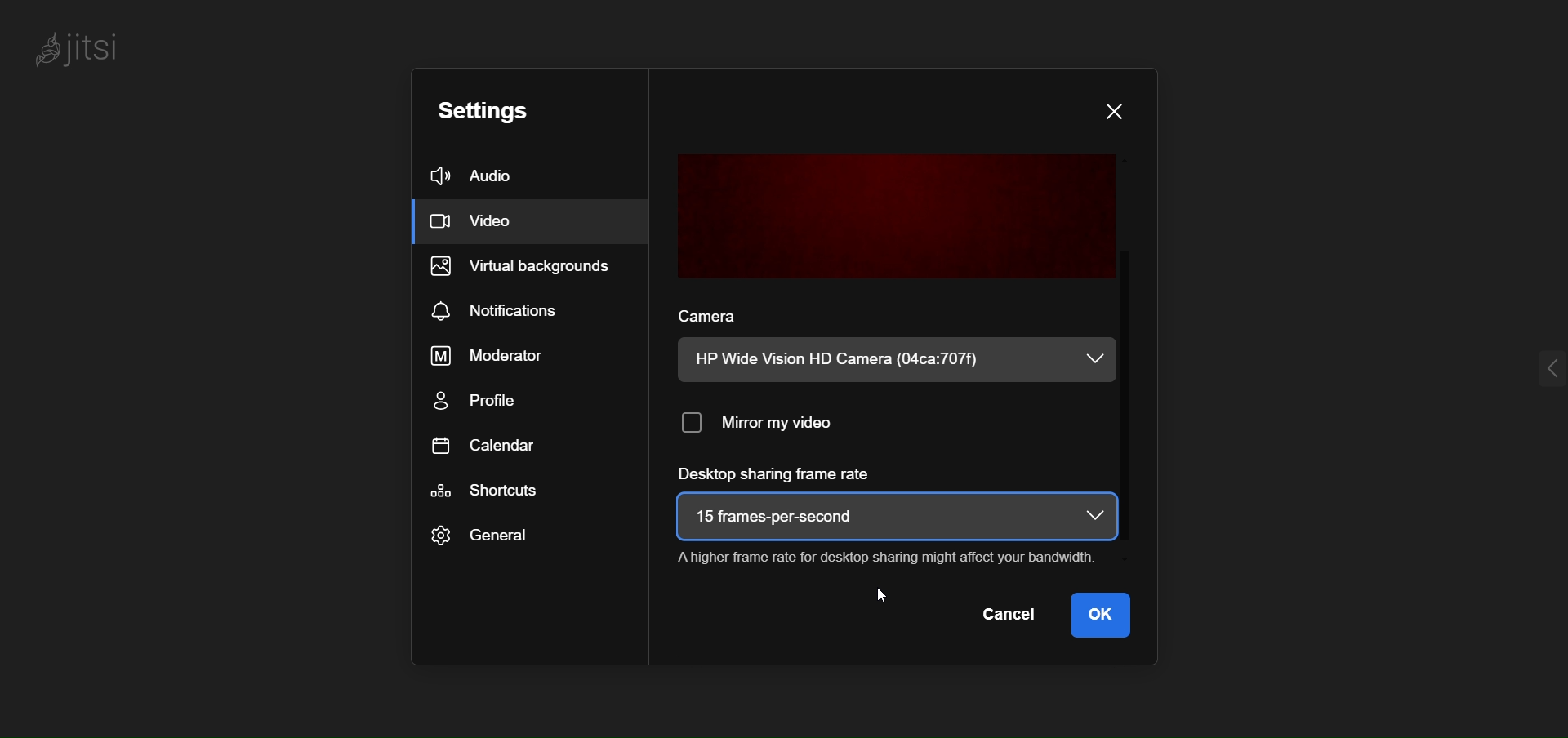 The width and height of the screenshot is (1568, 738). I want to click on calendar, so click(479, 445).